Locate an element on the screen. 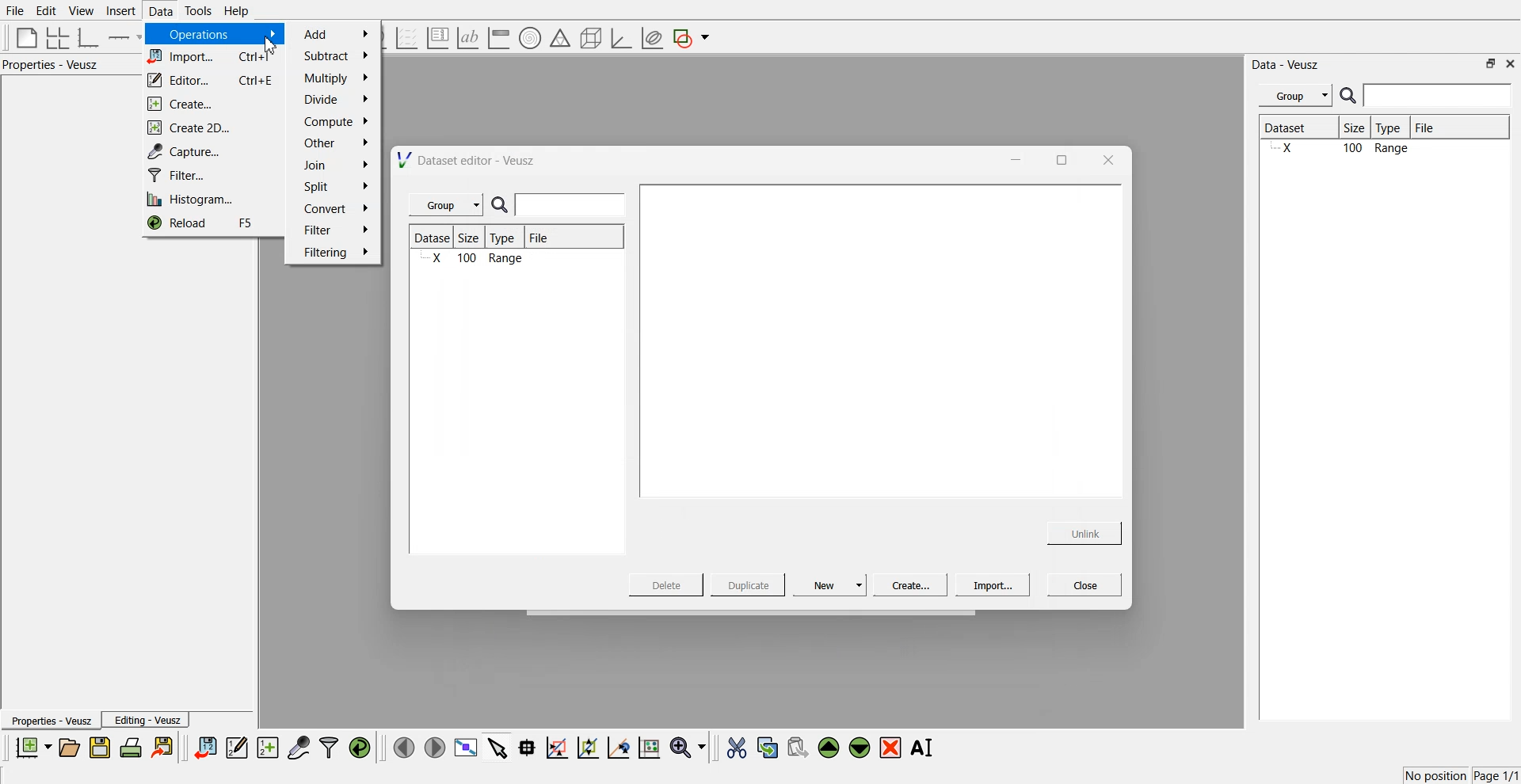  minimise or maximise is located at coordinates (1491, 63).